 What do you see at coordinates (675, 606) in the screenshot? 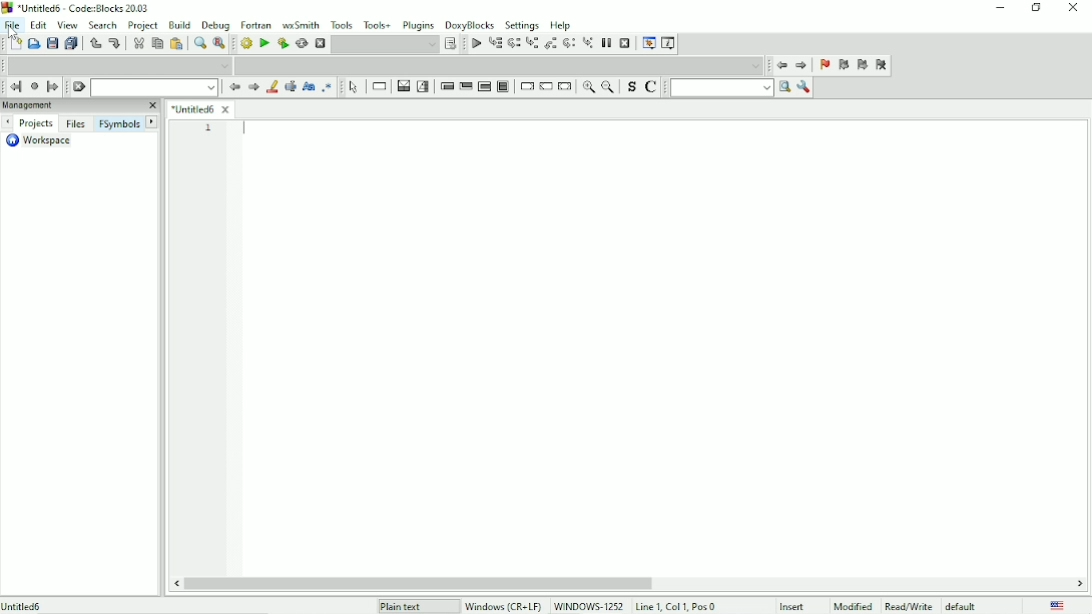
I see `Line 1, Col 1, Pos 0` at bounding box center [675, 606].